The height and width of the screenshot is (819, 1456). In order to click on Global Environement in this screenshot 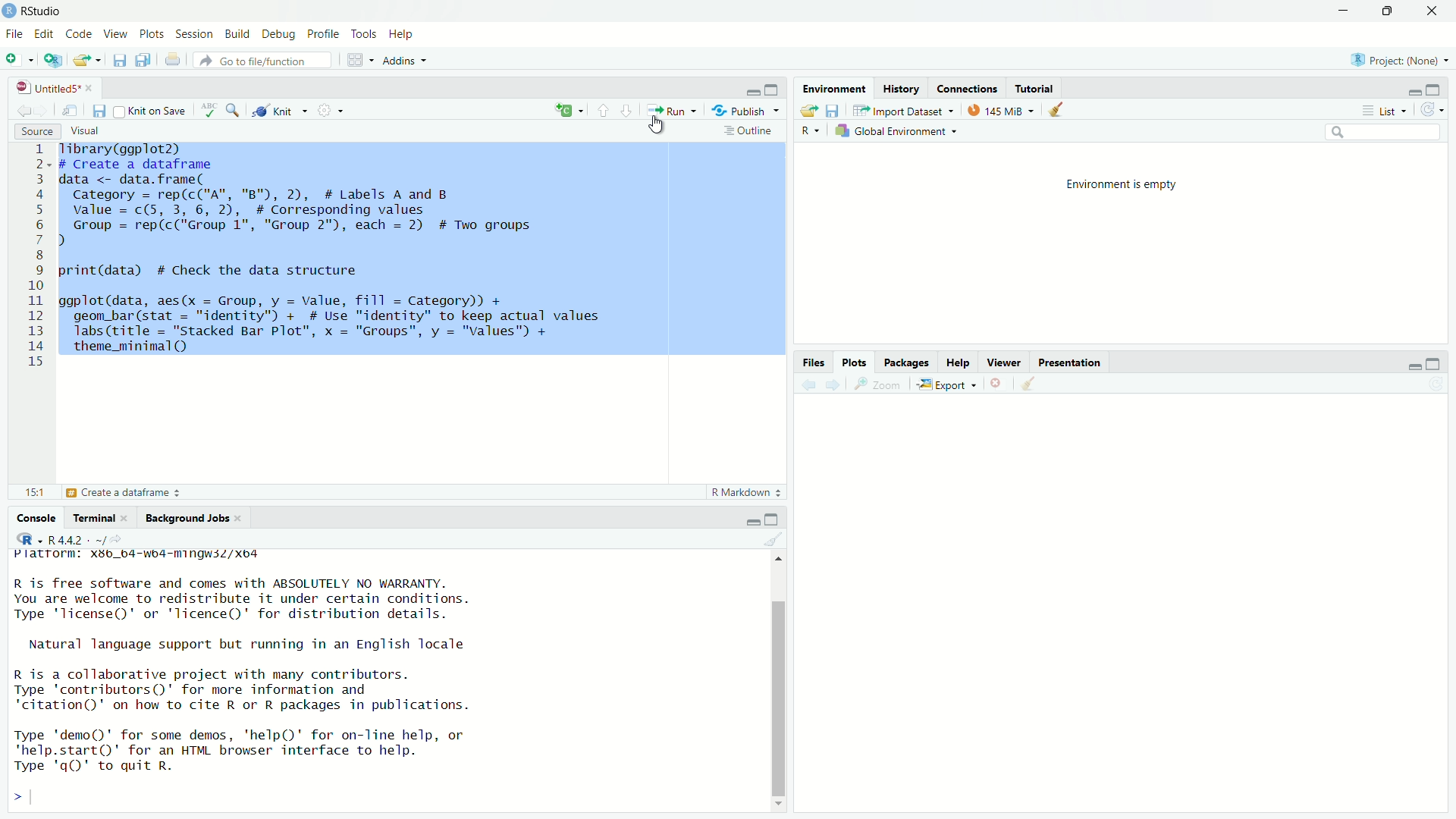, I will do `click(896, 130)`.